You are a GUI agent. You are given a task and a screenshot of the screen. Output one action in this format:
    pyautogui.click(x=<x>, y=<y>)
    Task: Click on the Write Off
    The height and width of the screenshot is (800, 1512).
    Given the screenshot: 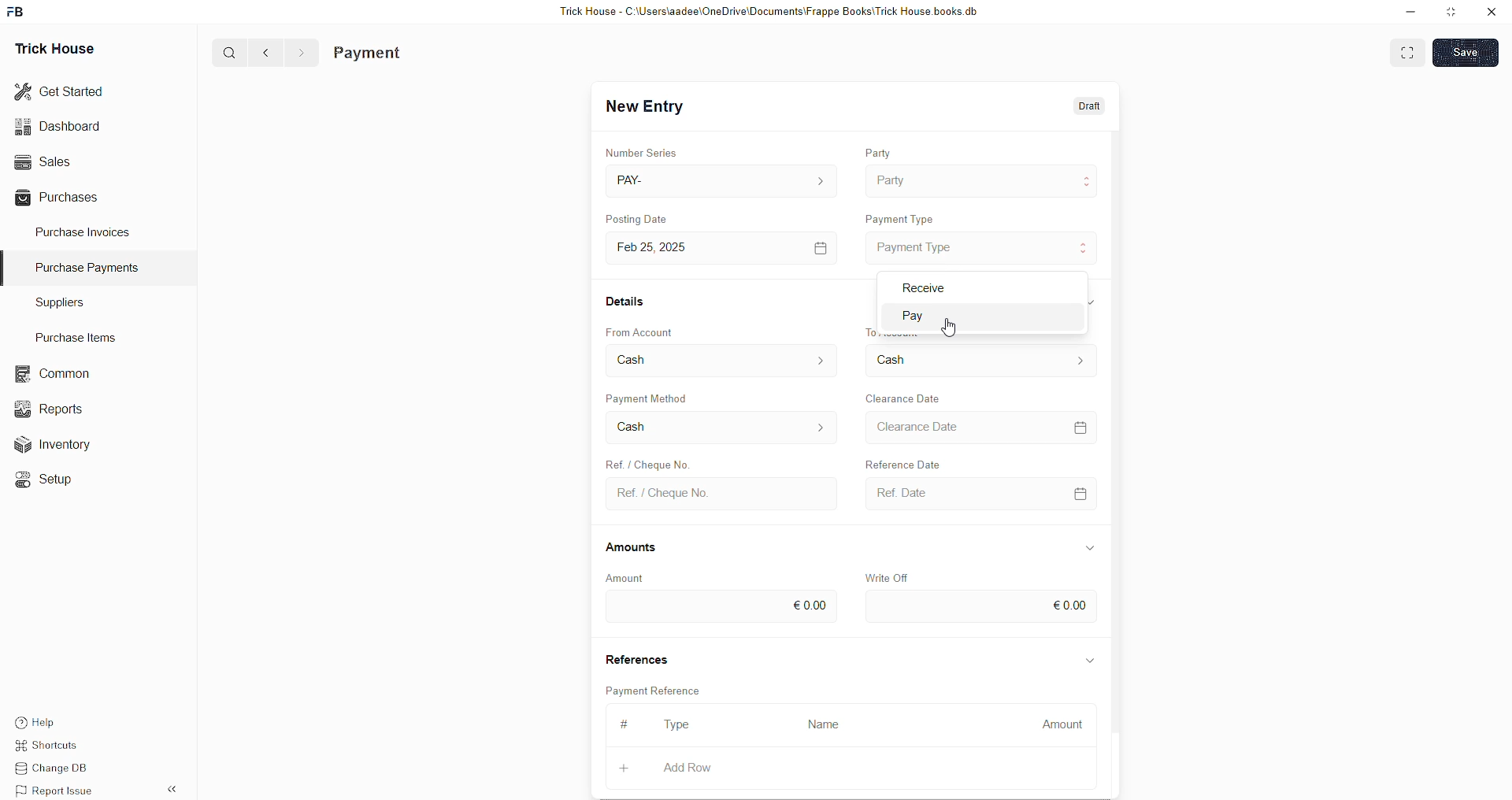 What is the action you would take?
    pyautogui.click(x=890, y=576)
    